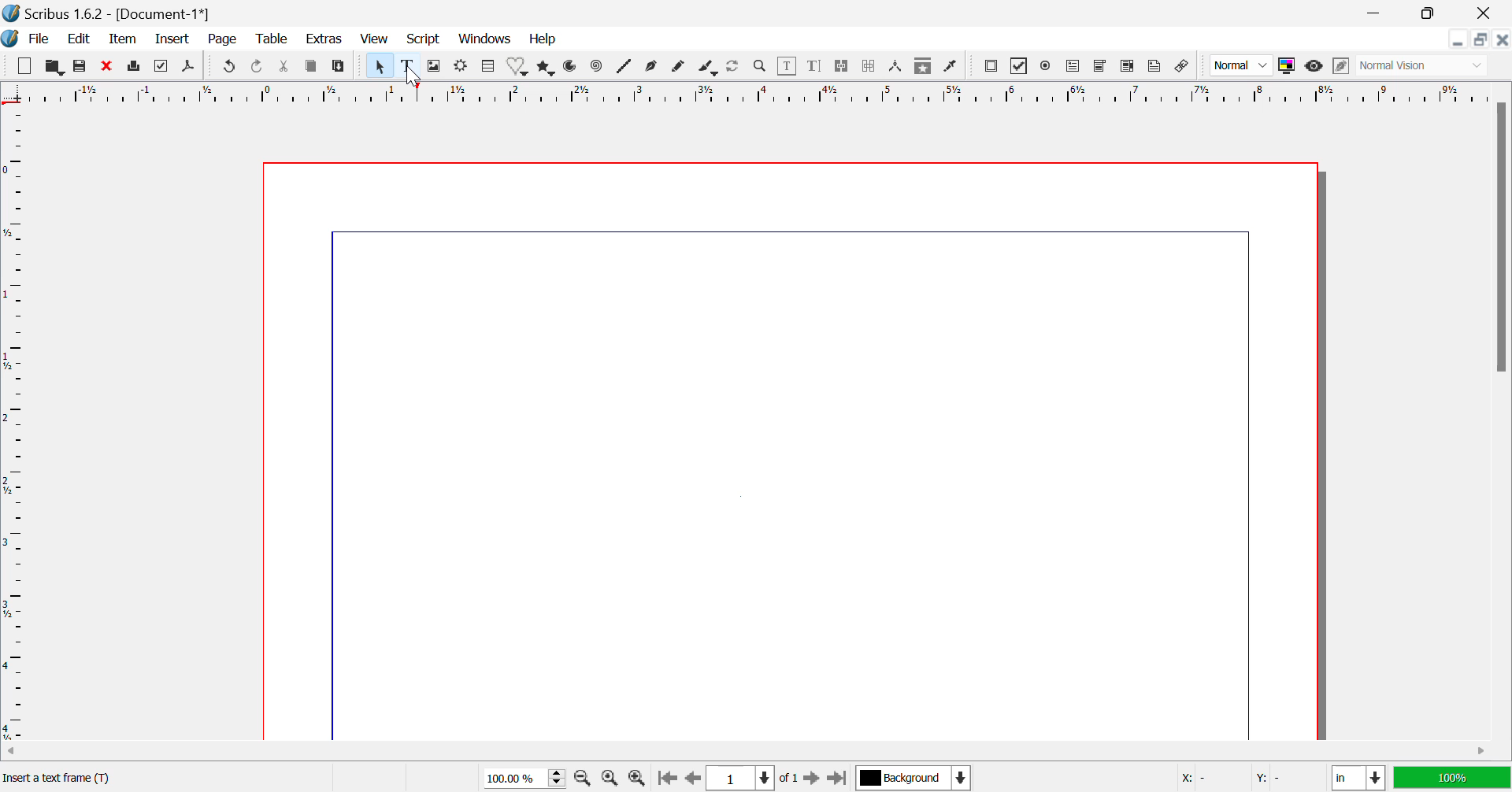 The height and width of the screenshot is (792, 1512). Describe the element at coordinates (624, 68) in the screenshot. I see `Lines` at that location.